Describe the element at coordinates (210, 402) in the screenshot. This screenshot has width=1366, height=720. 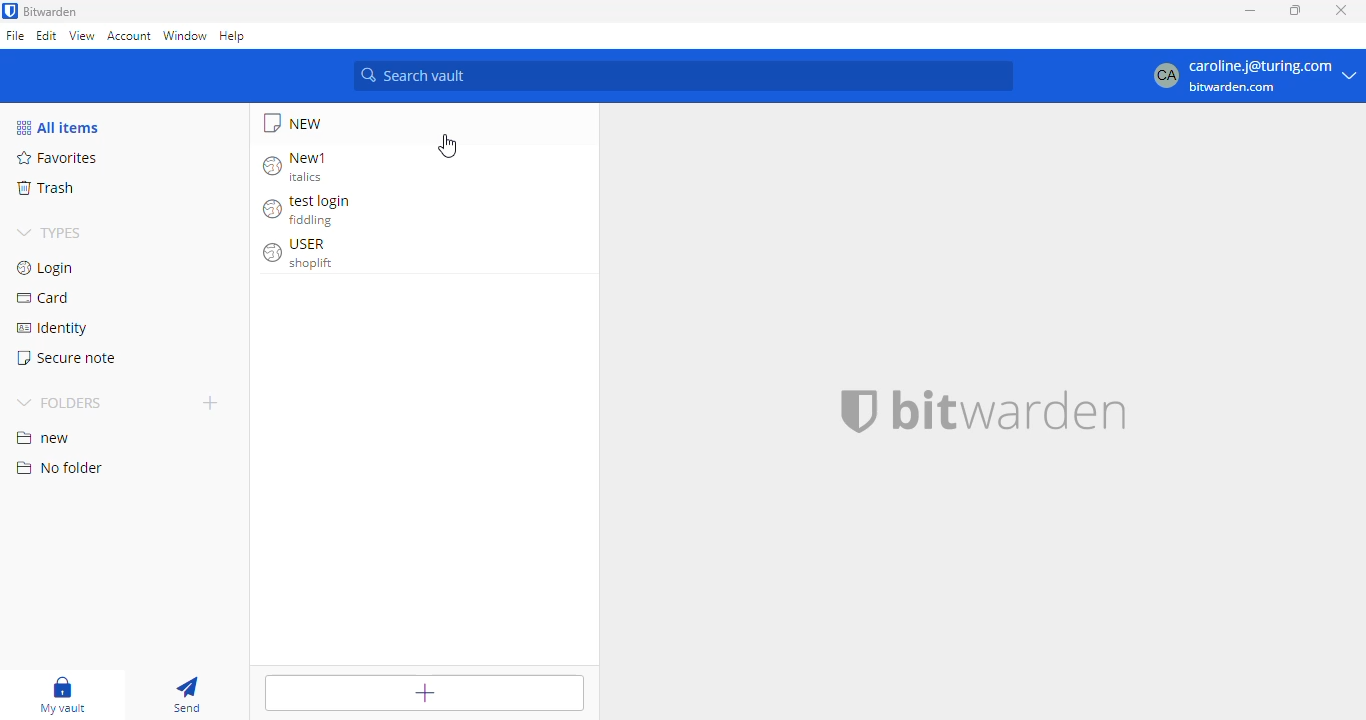
I see `add folder` at that location.